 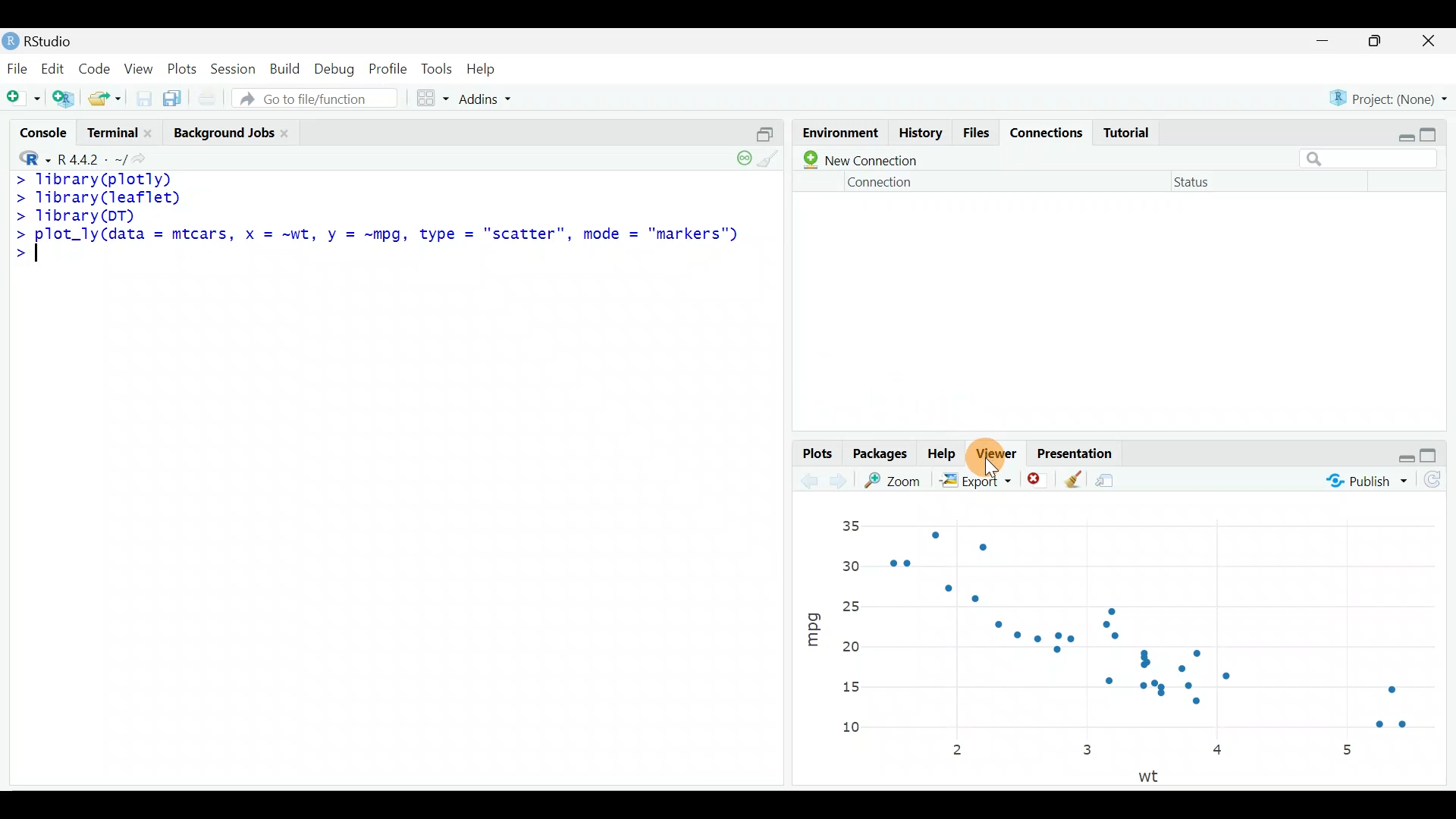 I want to click on restore down, so click(x=1400, y=453).